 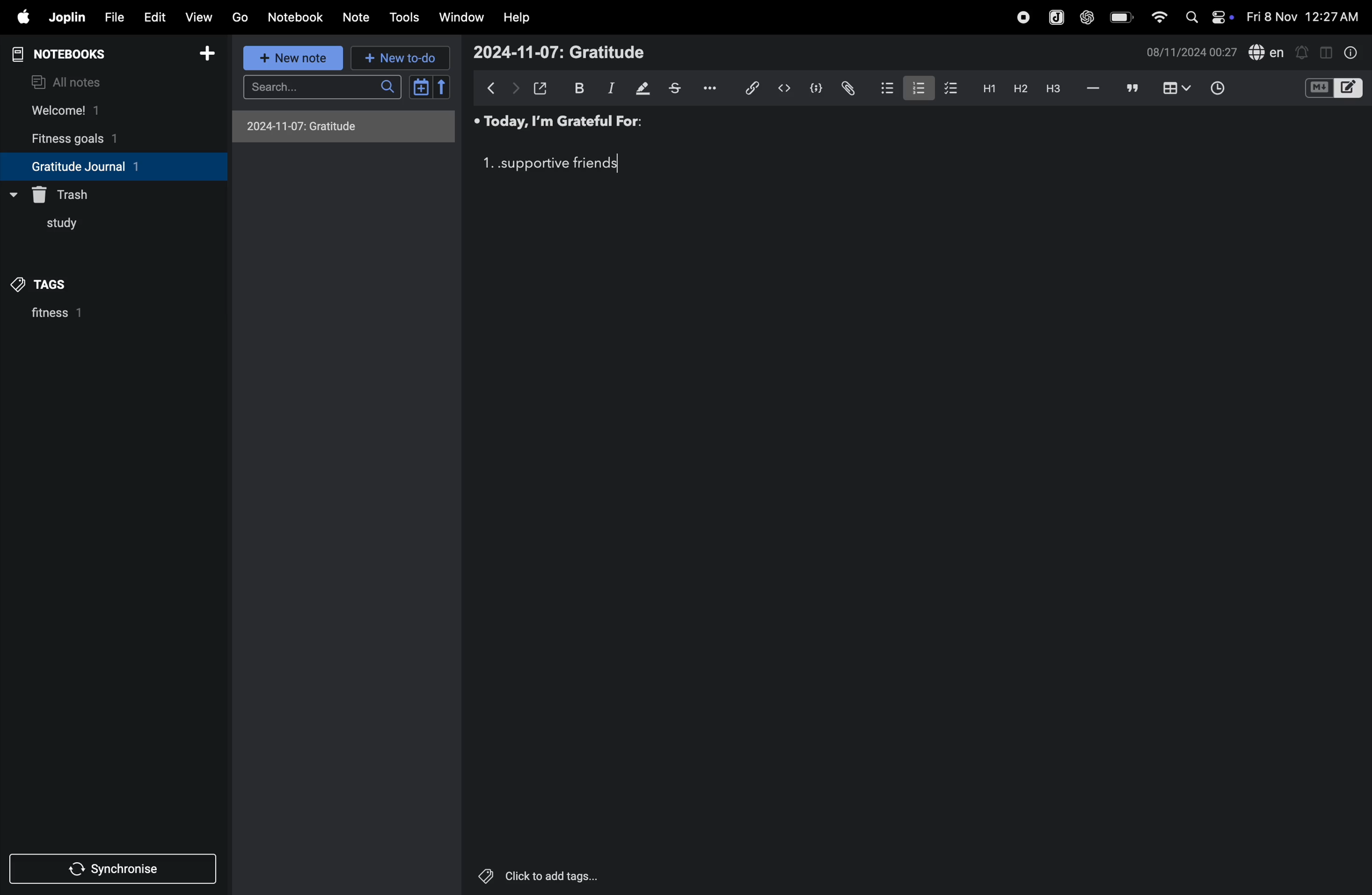 What do you see at coordinates (1208, 17) in the screenshot?
I see `apple widgets` at bounding box center [1208, 17].